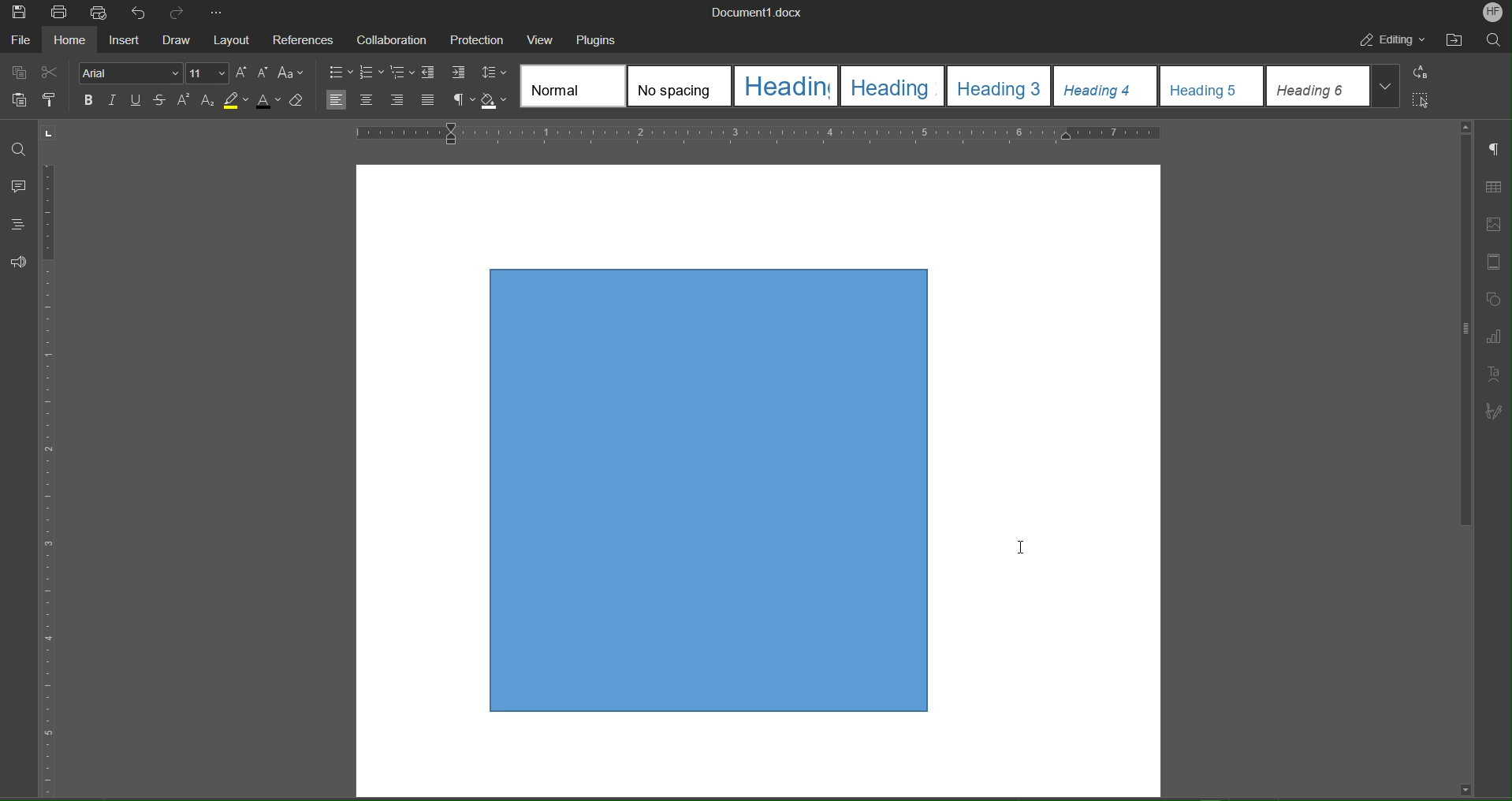 The width and height of the screenshot is (1512, 801). What do you see at coordinates (432, 73) in the screenshot?
I see `Decrease Indent` at bounding box center [432, 73].